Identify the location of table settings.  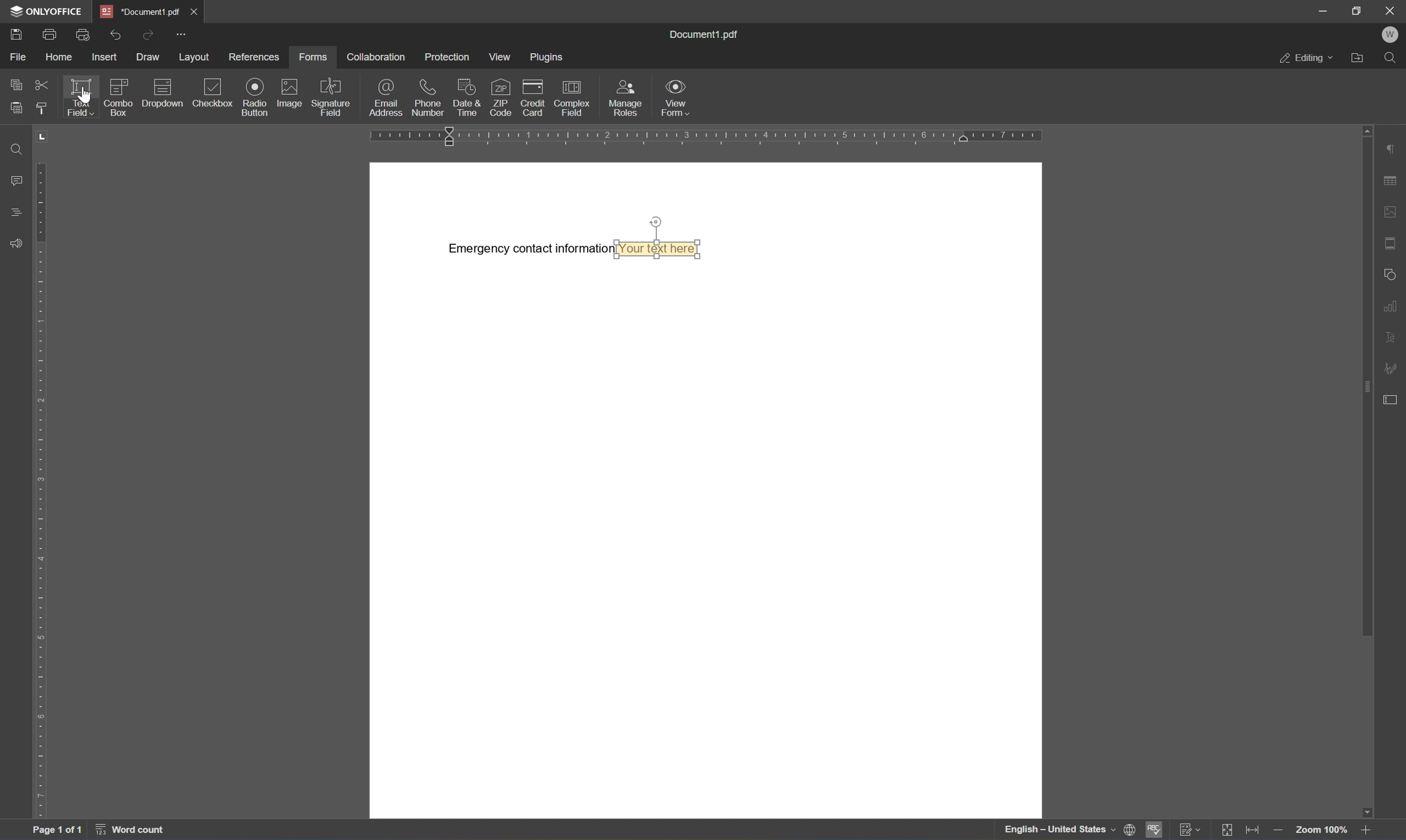
(1392, 179).